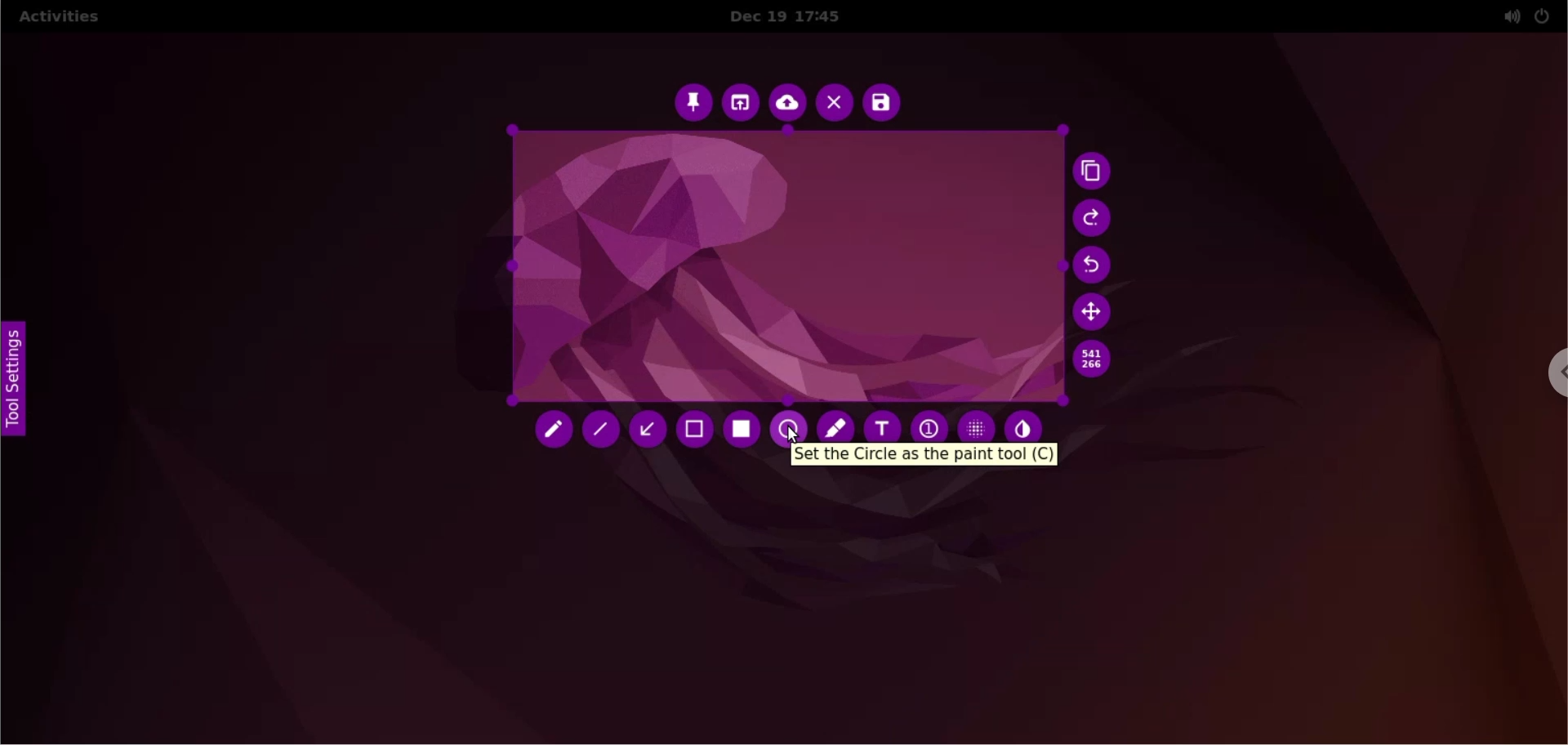  Describe the element at coordinates (884, 422) in the screenshot. I see `text tool` at that location.